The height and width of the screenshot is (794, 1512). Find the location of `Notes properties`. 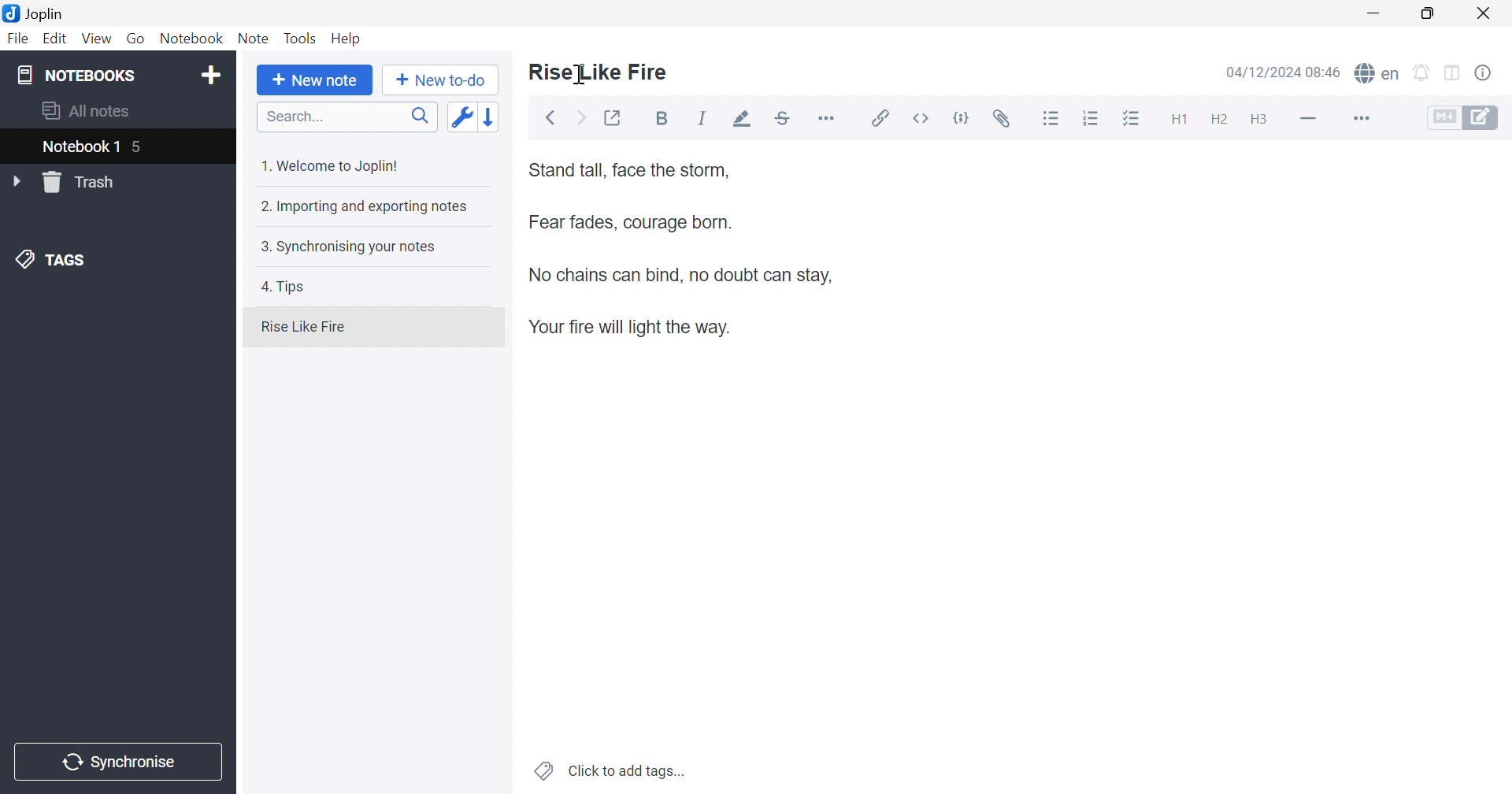

Notes properties is located at coordinates (1485, 72).